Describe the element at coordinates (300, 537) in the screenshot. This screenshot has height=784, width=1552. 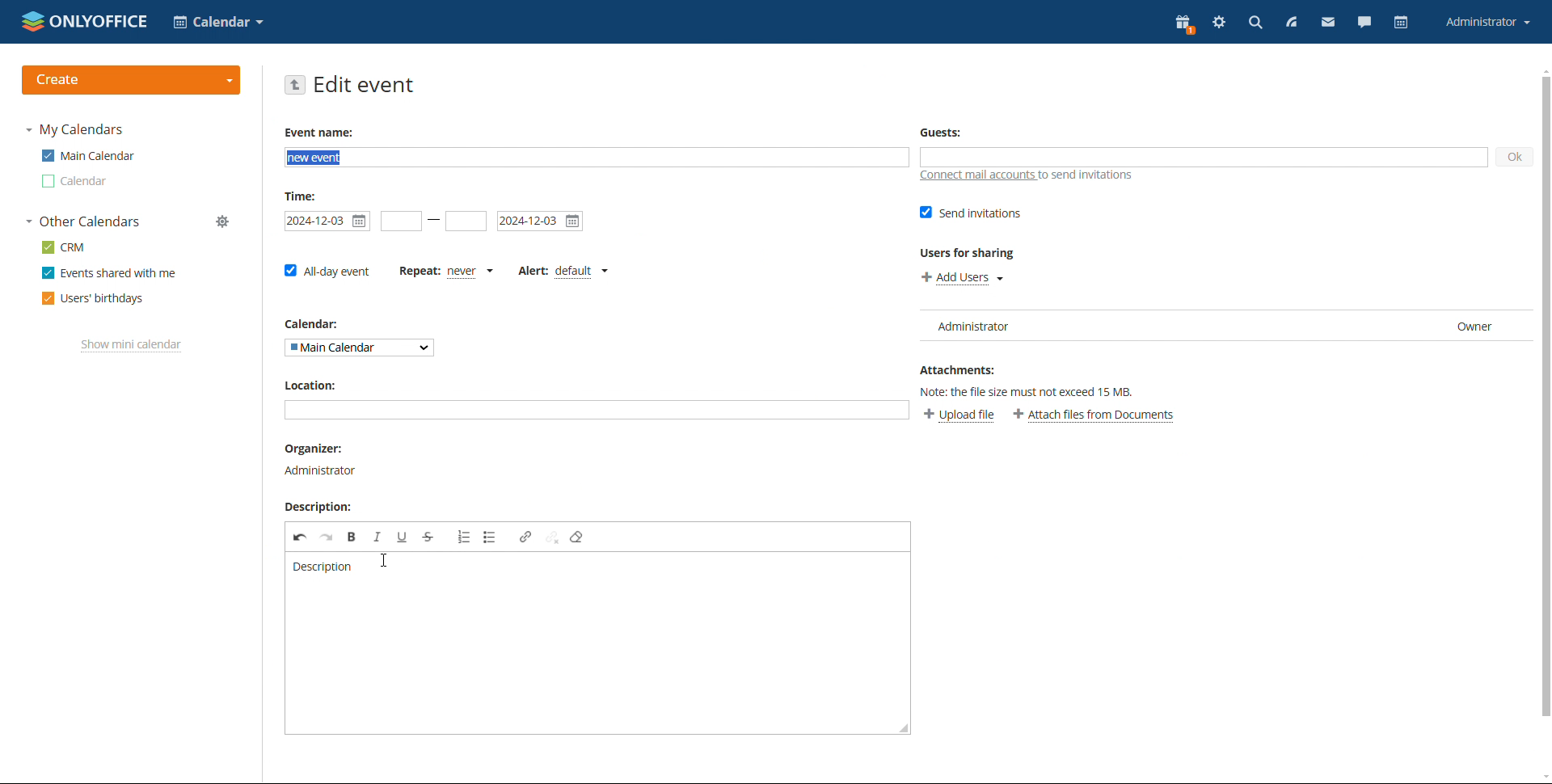
I see `undo` at that location.